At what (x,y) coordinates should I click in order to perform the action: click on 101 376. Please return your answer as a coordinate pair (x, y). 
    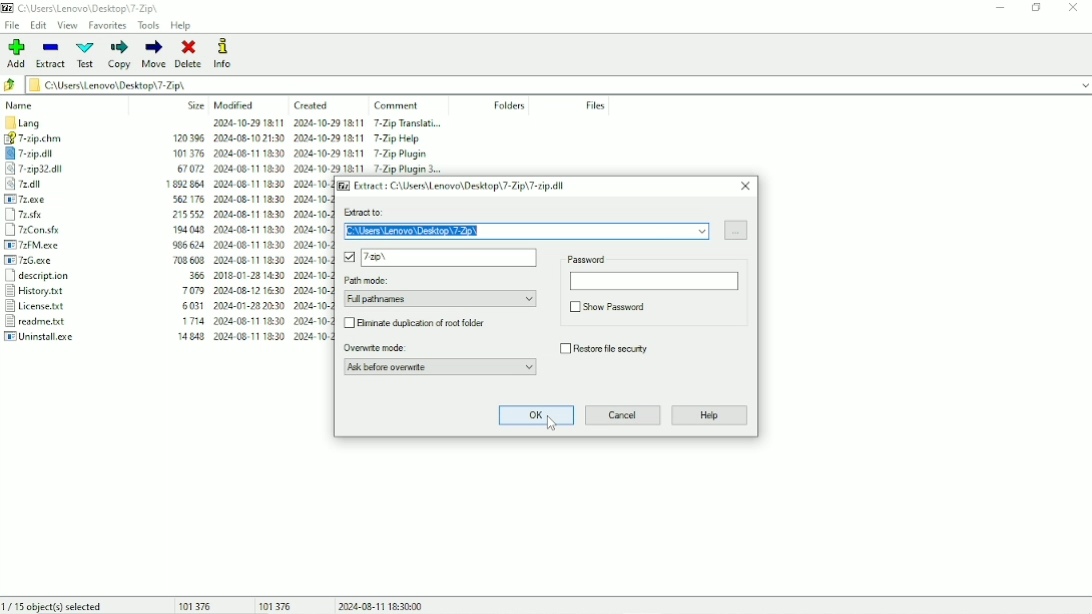
    Looking at the image, I should click on (197, 605).